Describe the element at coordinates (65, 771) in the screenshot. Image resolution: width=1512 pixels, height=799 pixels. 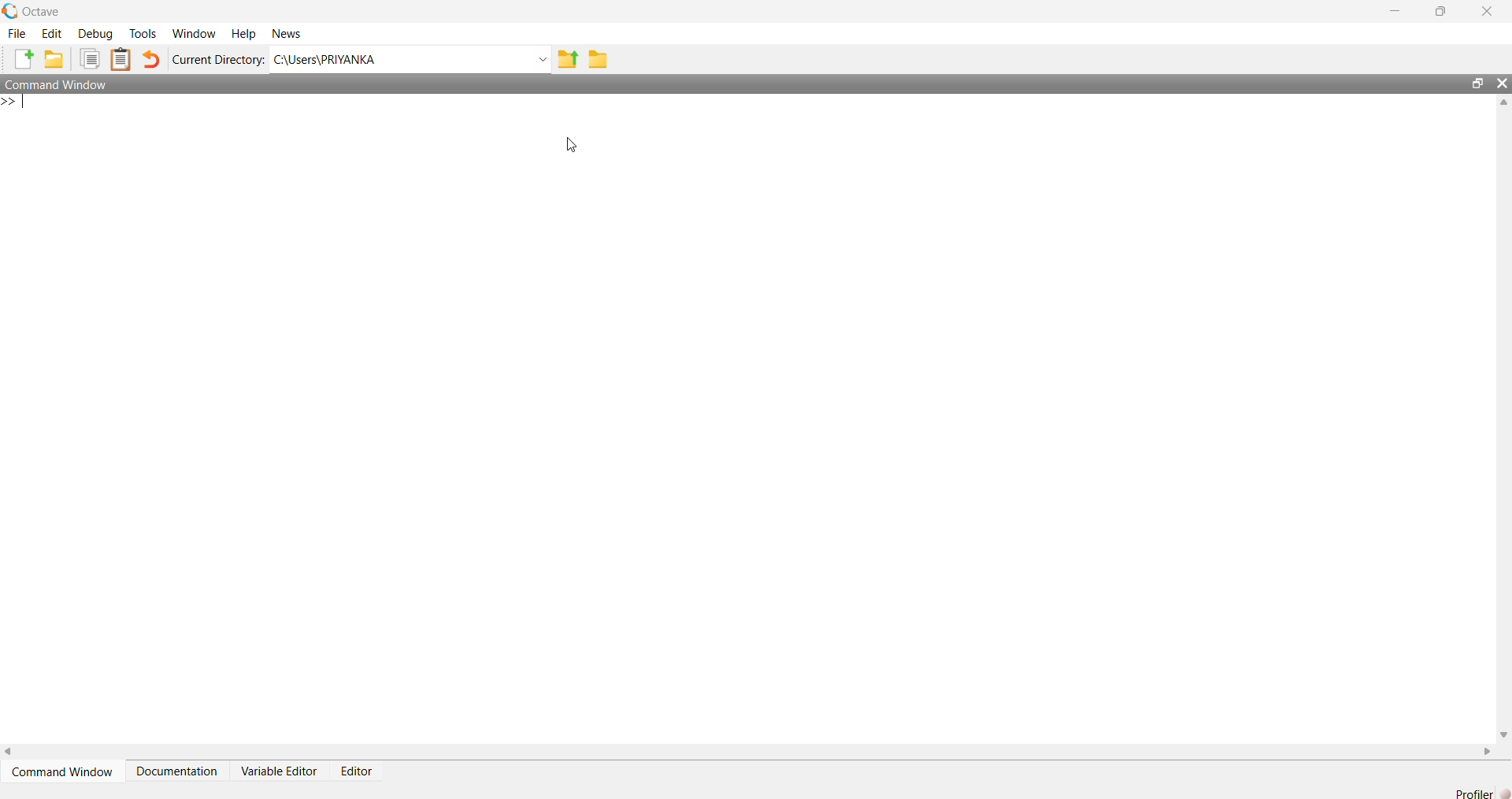
I see `Command Window` at that location.